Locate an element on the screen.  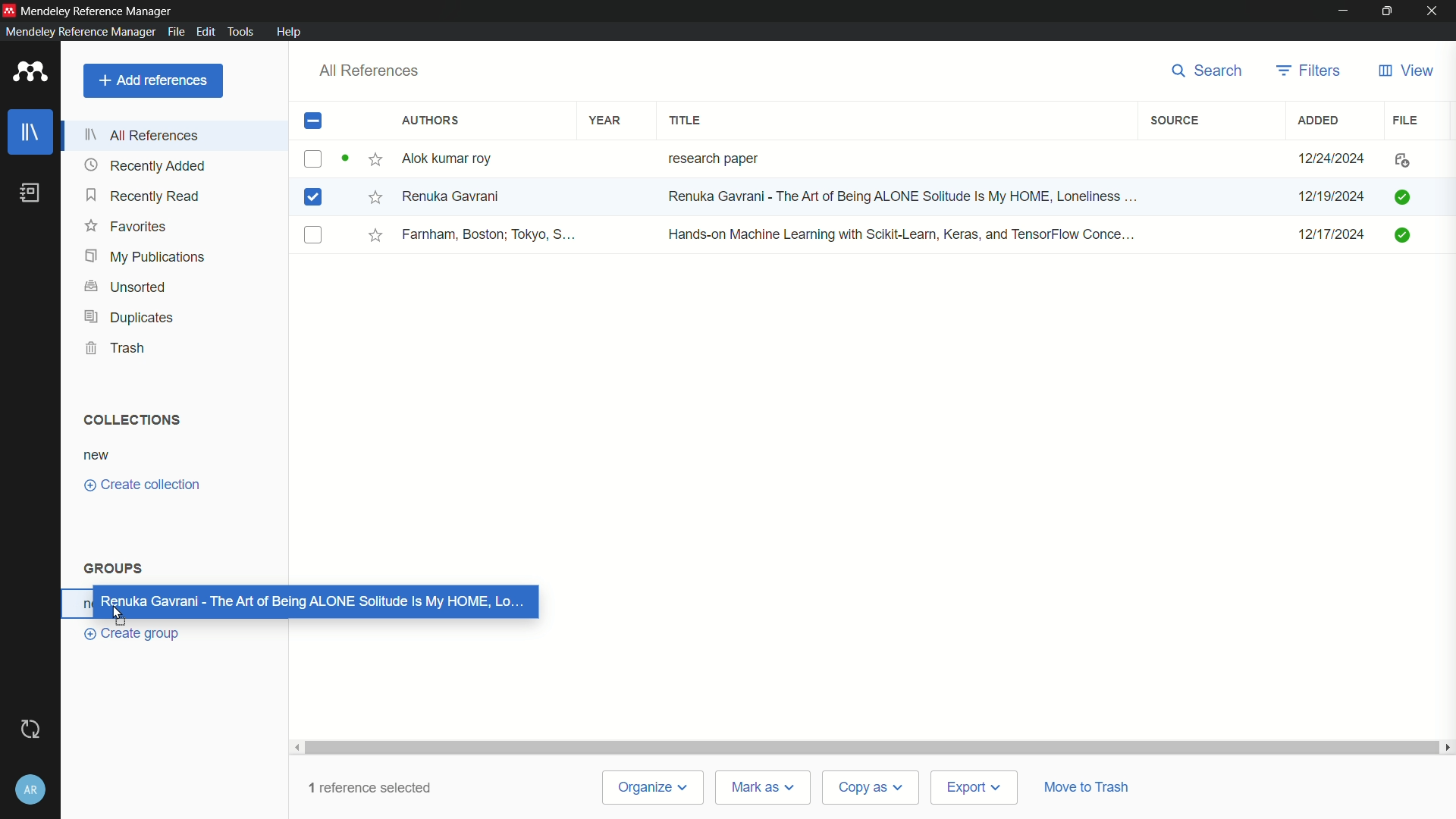
Checked is located at coordinates (1405, 234).